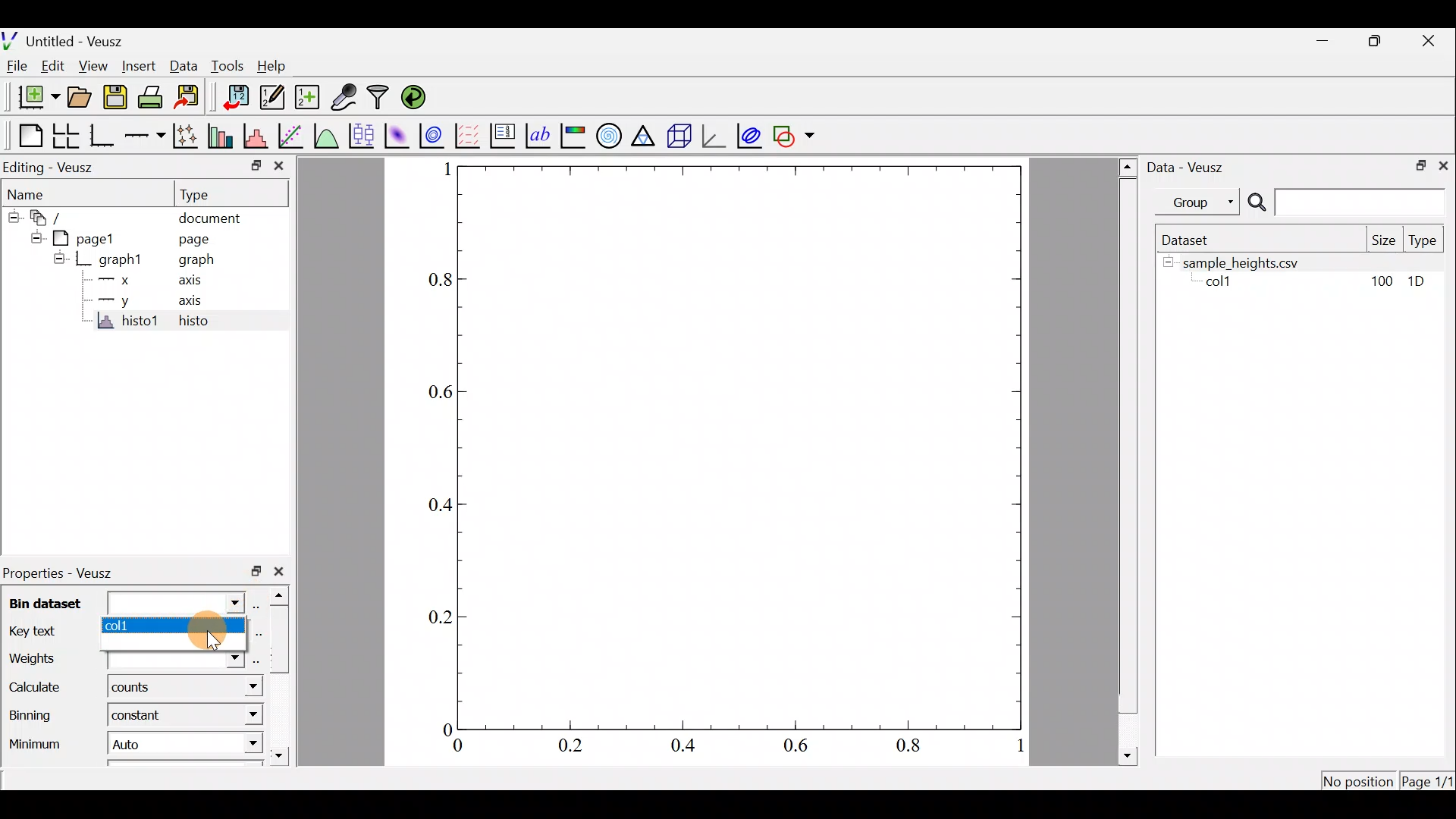 This screenshot has width=1456, height=819. I want to click on edit and enter new datasets, so click(272, 97).